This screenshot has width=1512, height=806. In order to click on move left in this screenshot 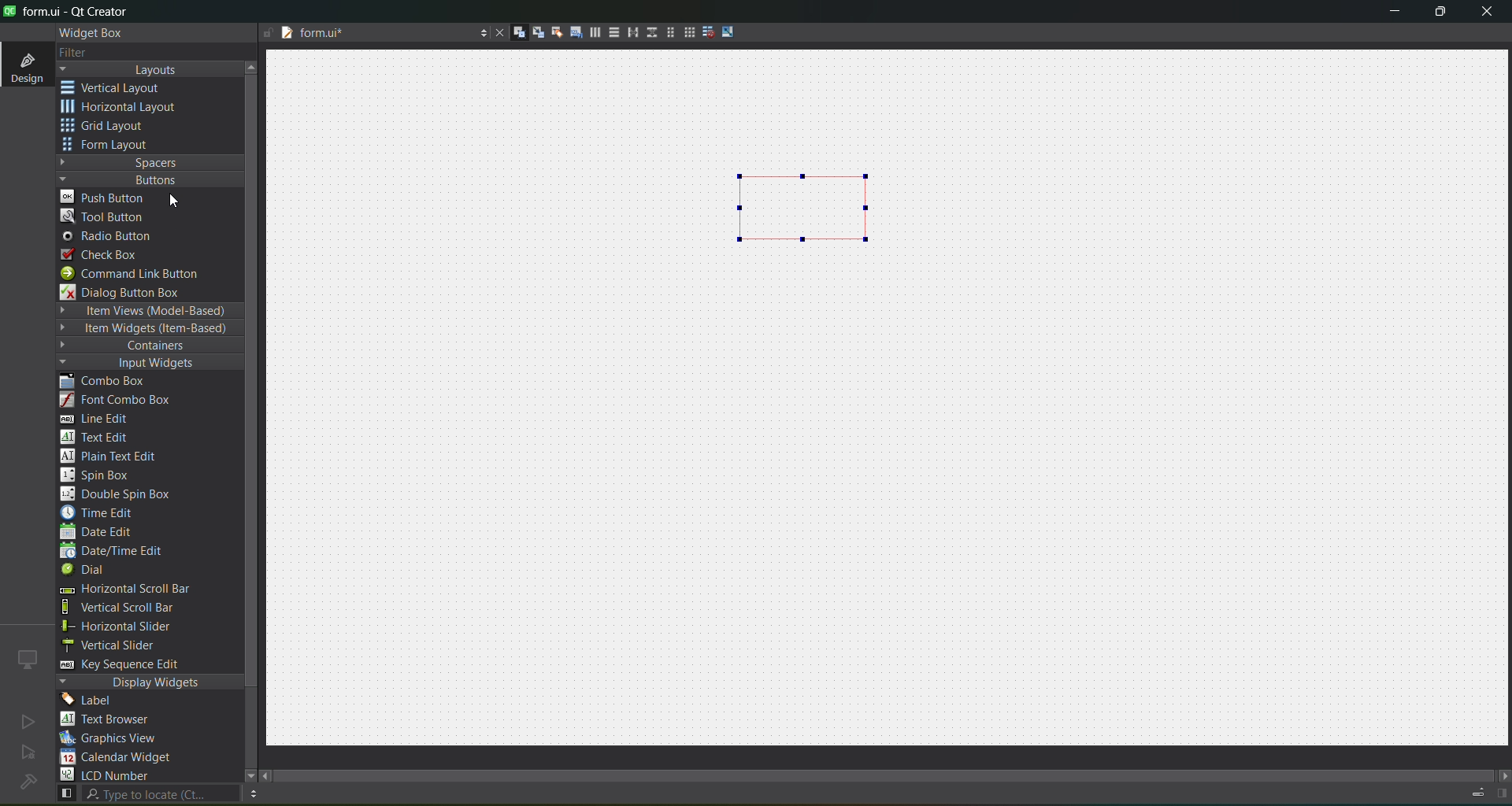, I will do `click(268, 777)`.